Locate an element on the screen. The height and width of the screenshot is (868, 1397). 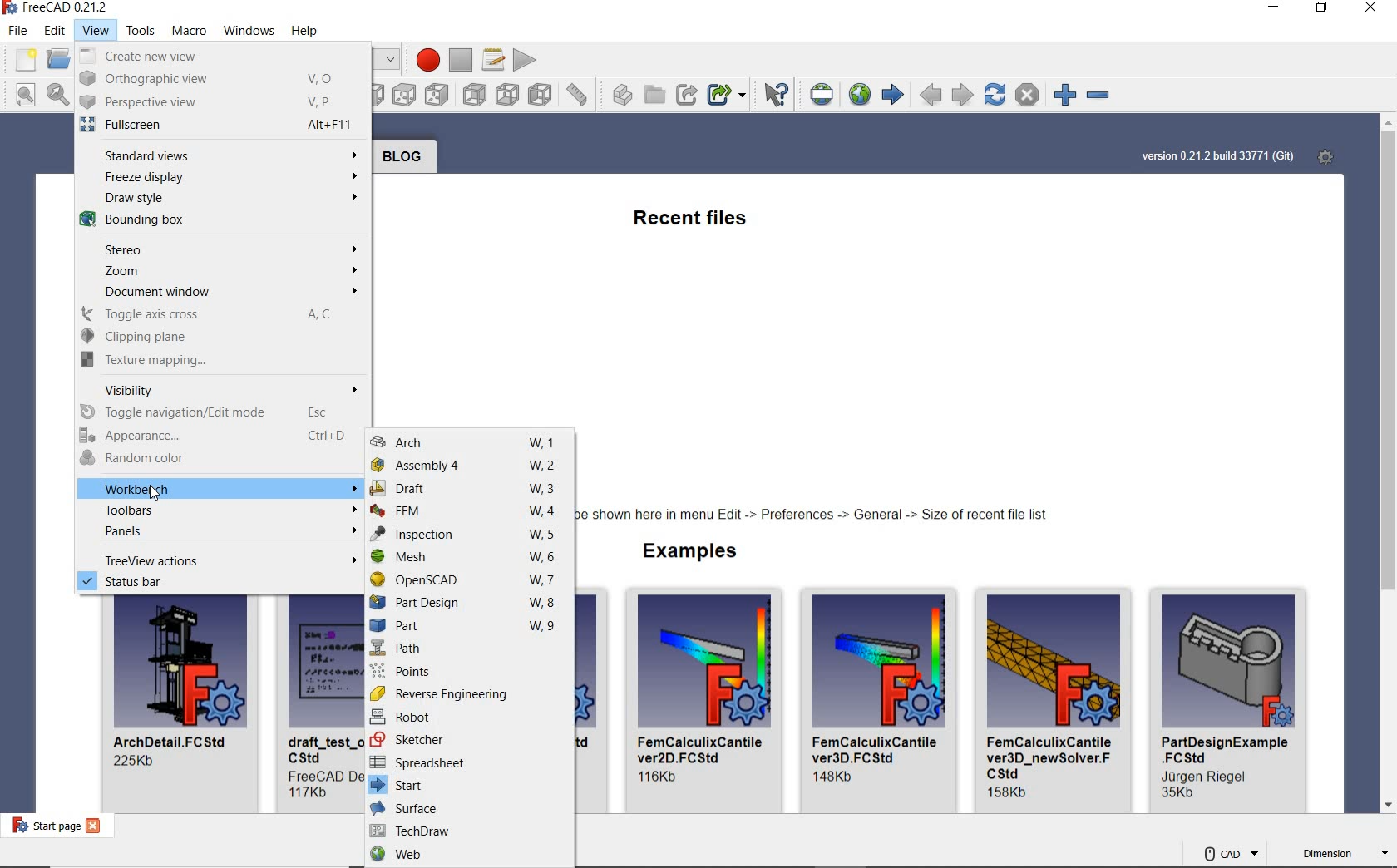
right is located at coordinates (438, 95).